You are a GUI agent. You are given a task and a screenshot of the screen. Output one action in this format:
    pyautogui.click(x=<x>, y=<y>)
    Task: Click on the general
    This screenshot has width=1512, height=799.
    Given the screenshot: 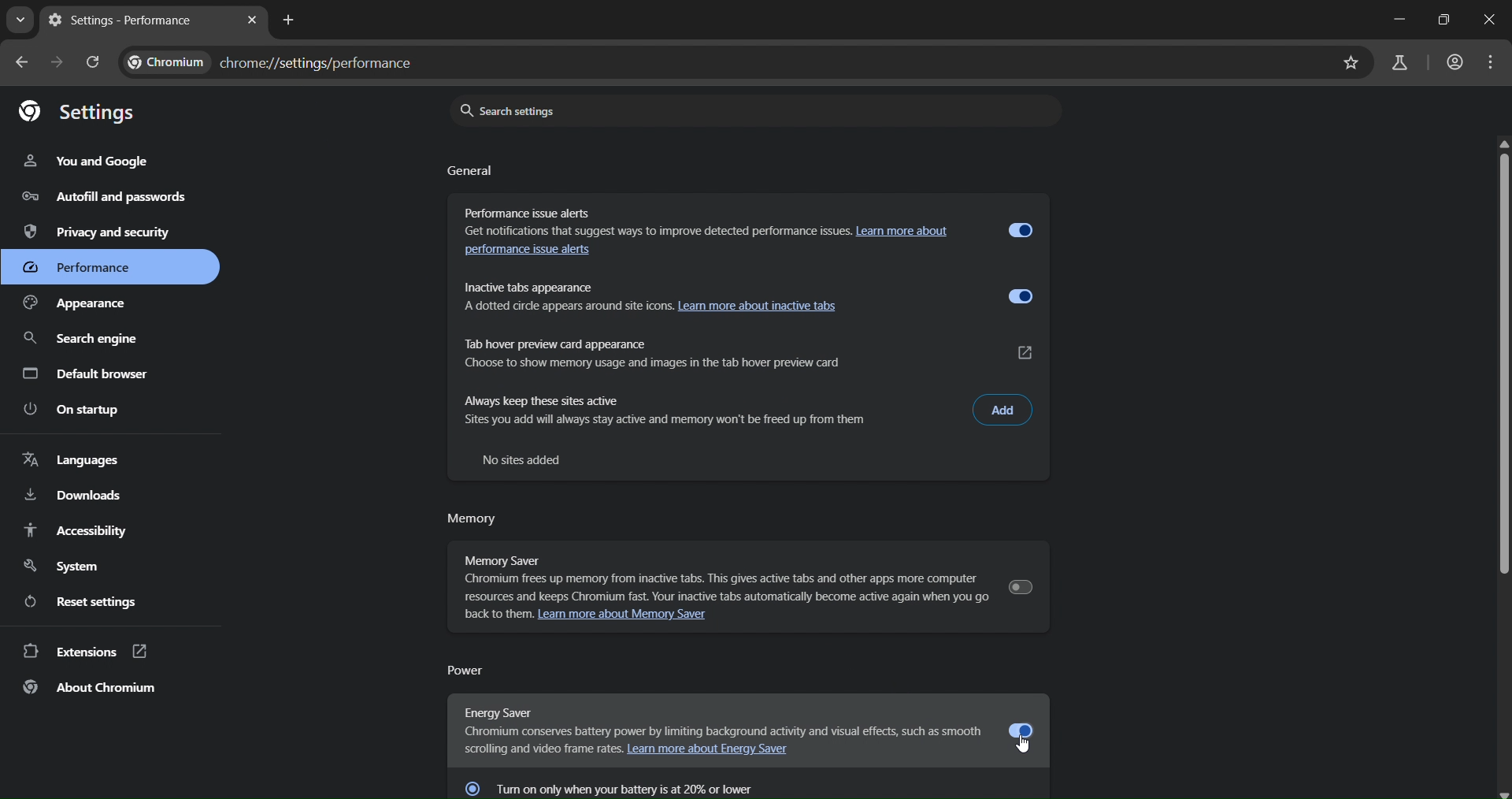 What is the action you would take?
    pyautogui.click(x=472, y=173)
    